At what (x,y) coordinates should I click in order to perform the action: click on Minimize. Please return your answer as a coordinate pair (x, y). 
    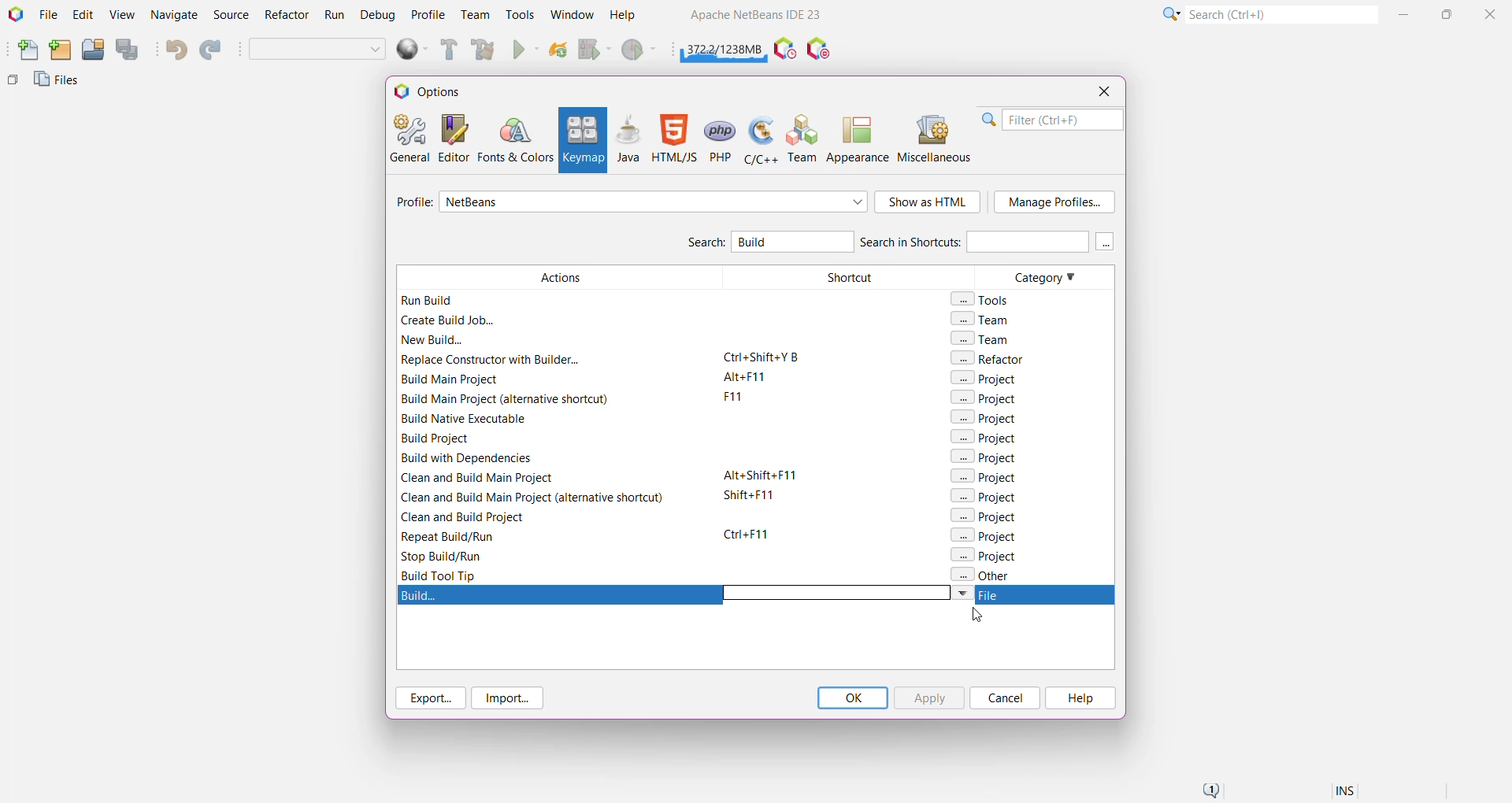
    Looking at the image, I should click on (1406, 14).